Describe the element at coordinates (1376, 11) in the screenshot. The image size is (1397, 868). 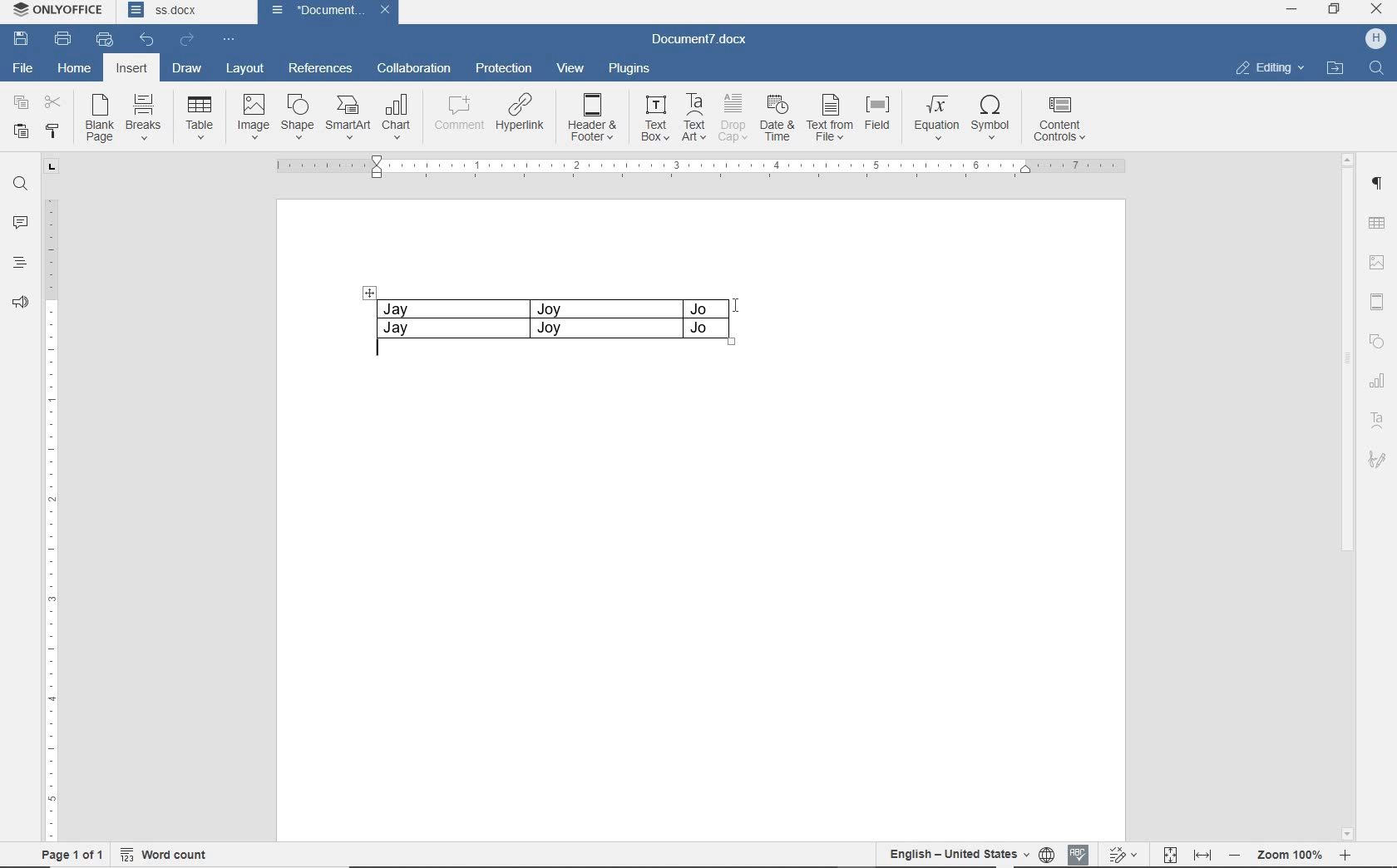
I see `CLOSE` at that location.